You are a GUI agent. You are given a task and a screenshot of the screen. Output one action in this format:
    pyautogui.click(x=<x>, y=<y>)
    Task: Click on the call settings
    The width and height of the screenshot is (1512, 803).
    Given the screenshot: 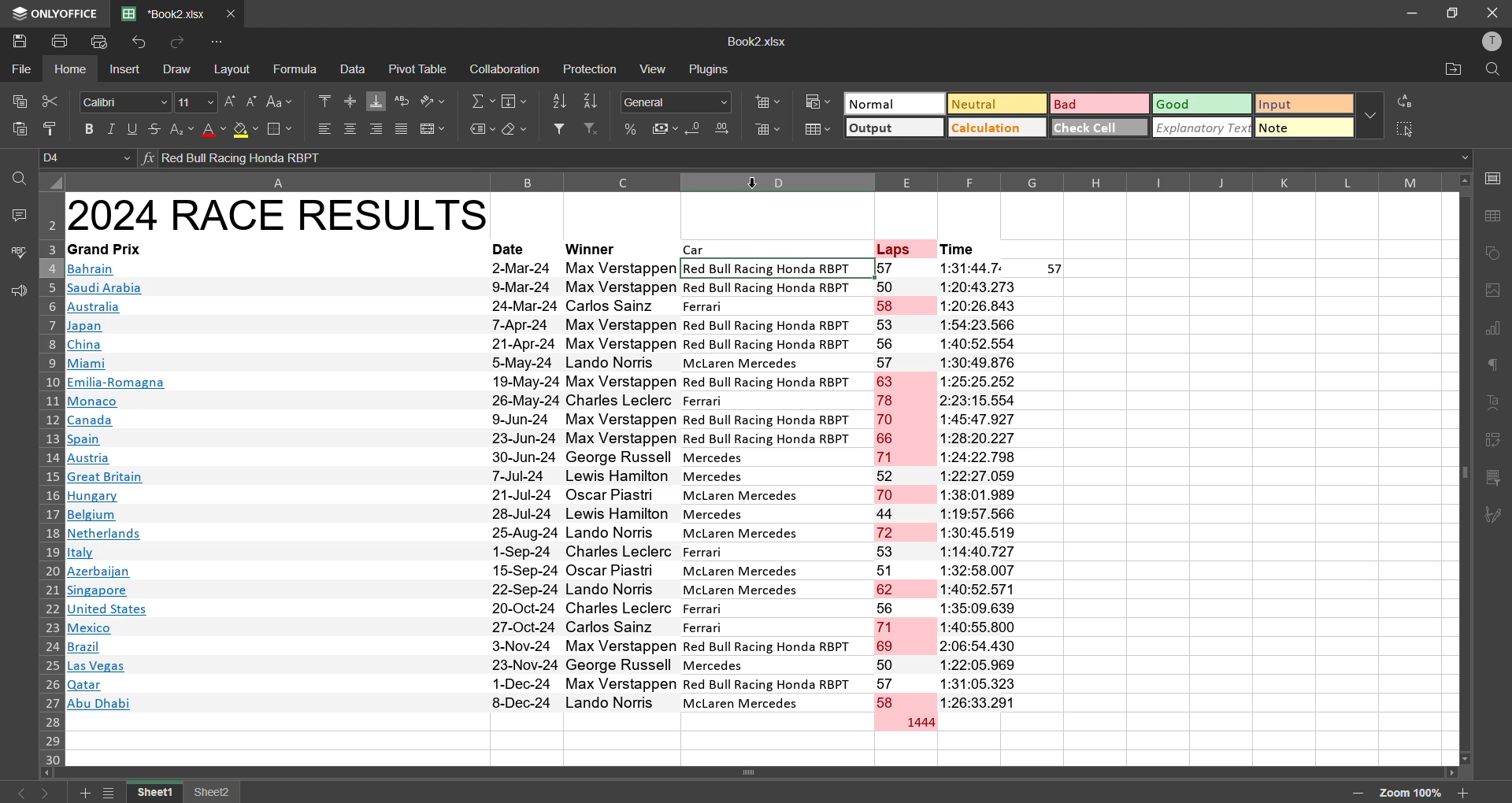 What is the action you would take?
    pyautogui.click(x=1495, y=182)
    